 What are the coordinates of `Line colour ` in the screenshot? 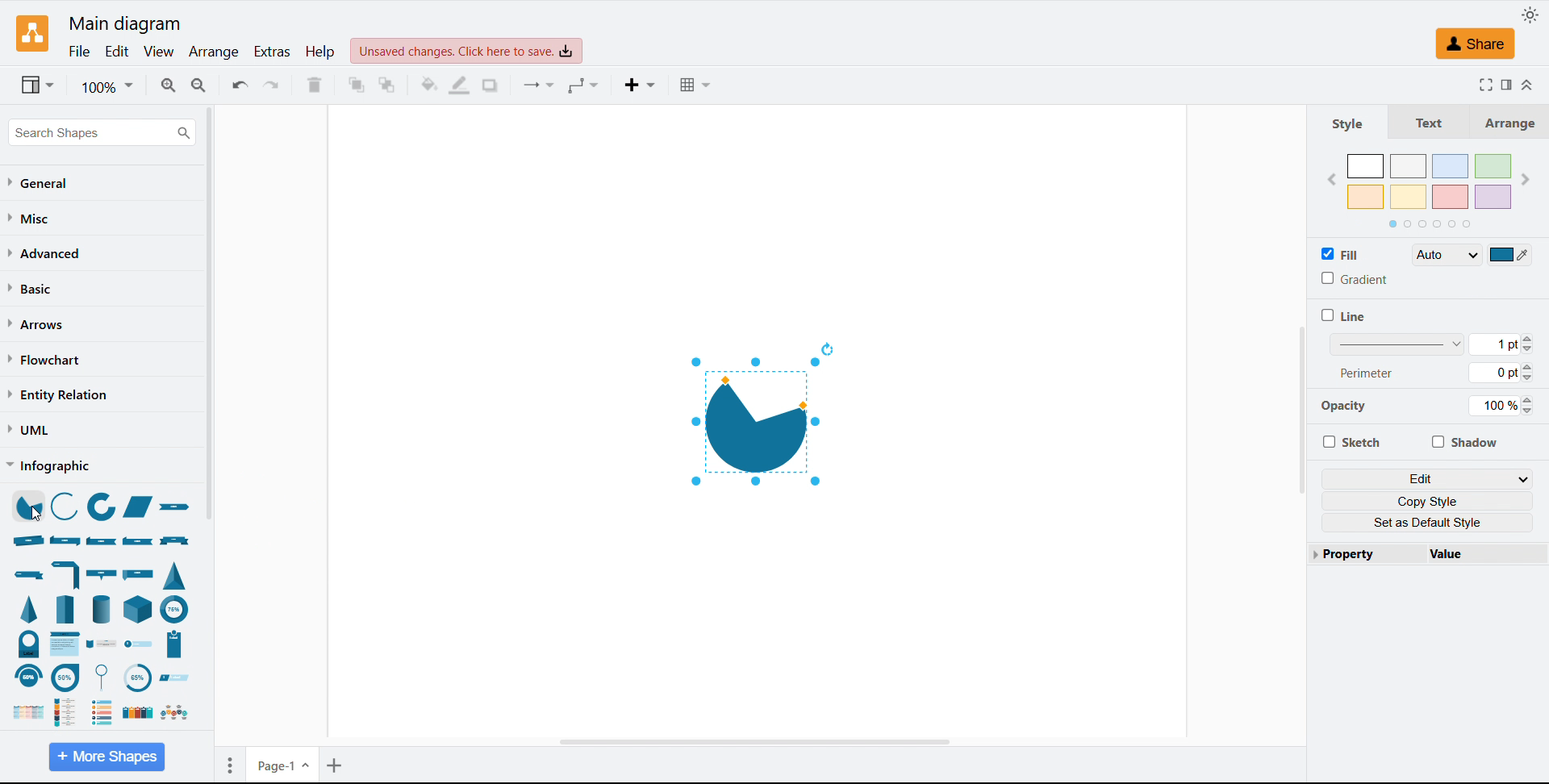 It's located at (461, 86).